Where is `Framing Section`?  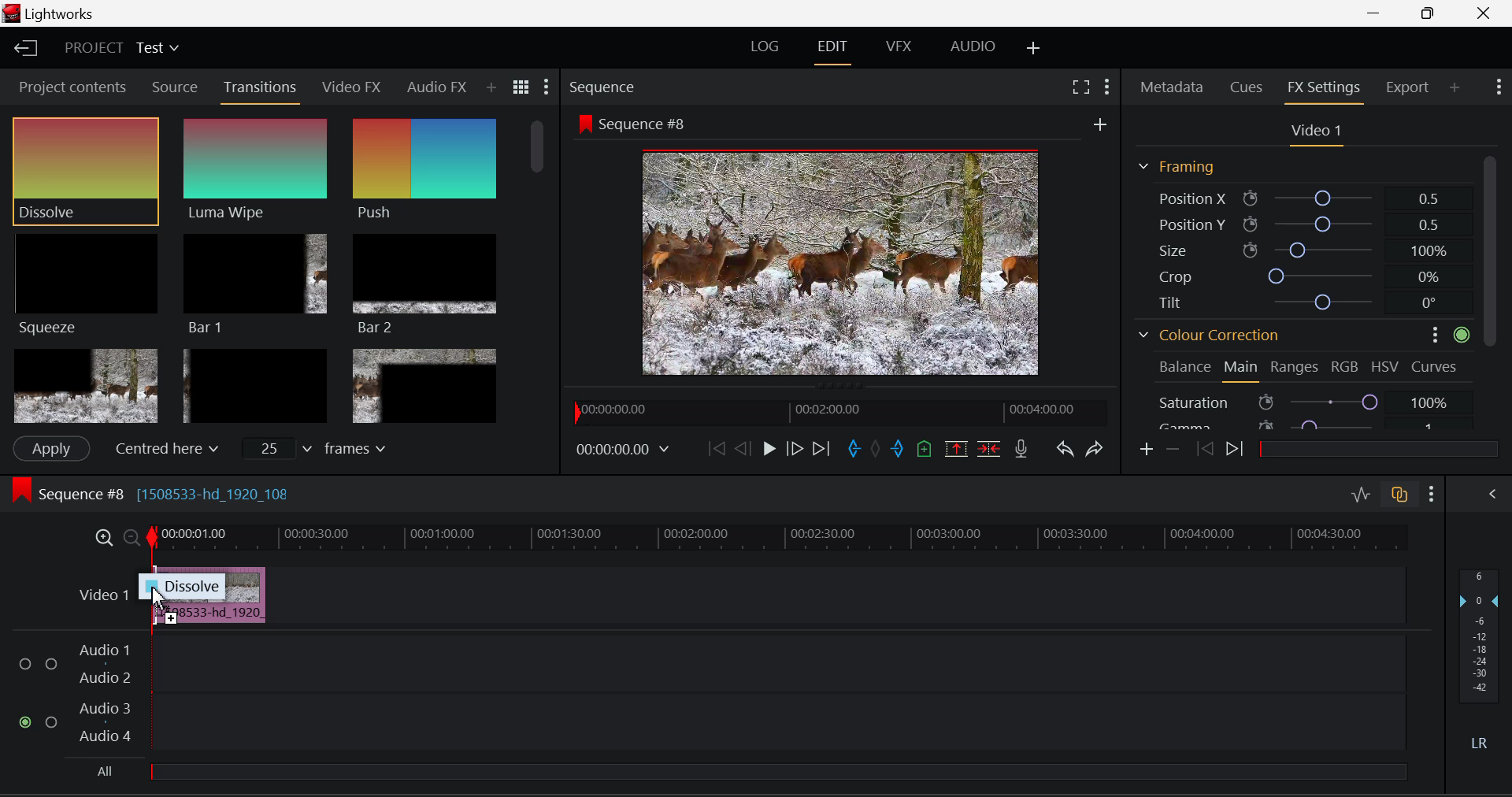 Framing Section is located at coordinates (1177, 168).